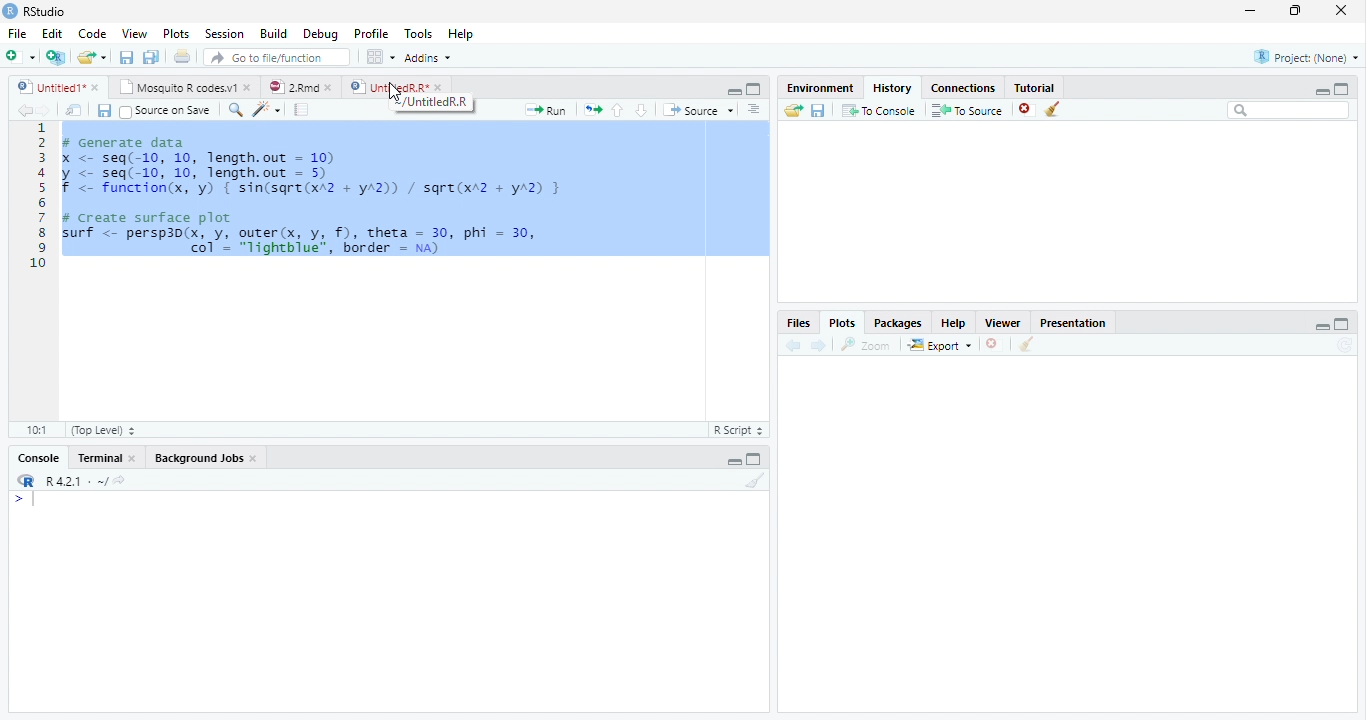 The height and width of the screenshot is (720, 1366). What do you see at coordinates (818, 110) in the screenshot?
I see `Save history into a file` at bounding box center [818, 110].